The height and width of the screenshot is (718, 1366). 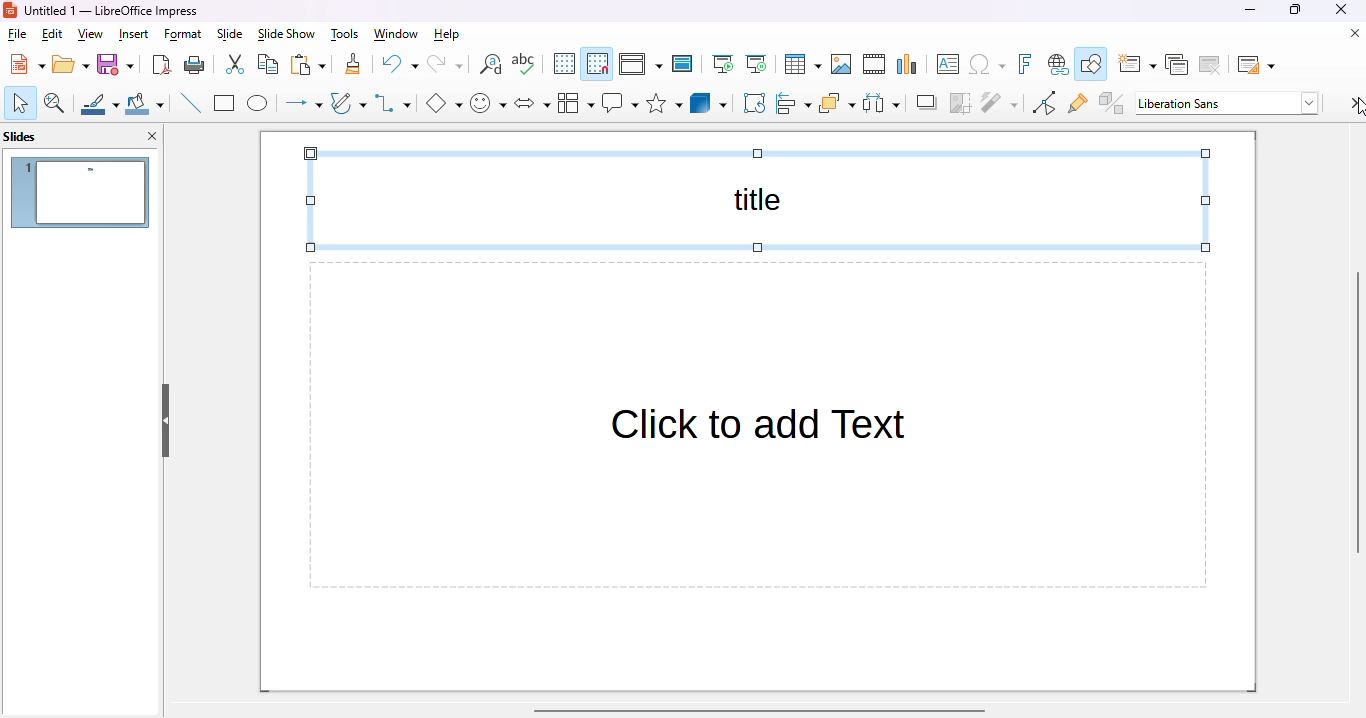 What do you see at coordinates (17, 34) in the screenshot?
I see `file` at bounding box center [17, 34].